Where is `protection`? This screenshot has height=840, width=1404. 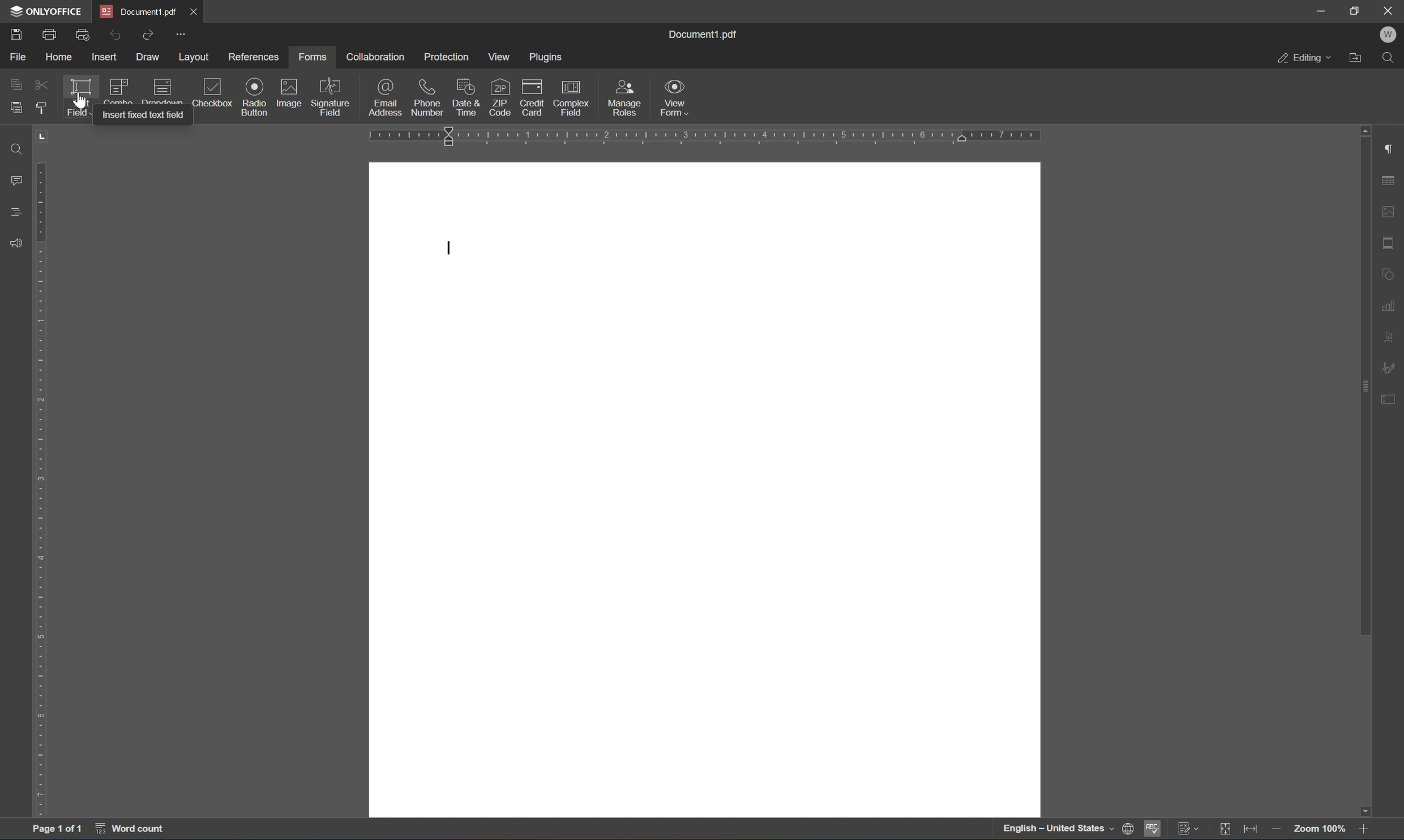
protection is located at coordinates (445, 55).